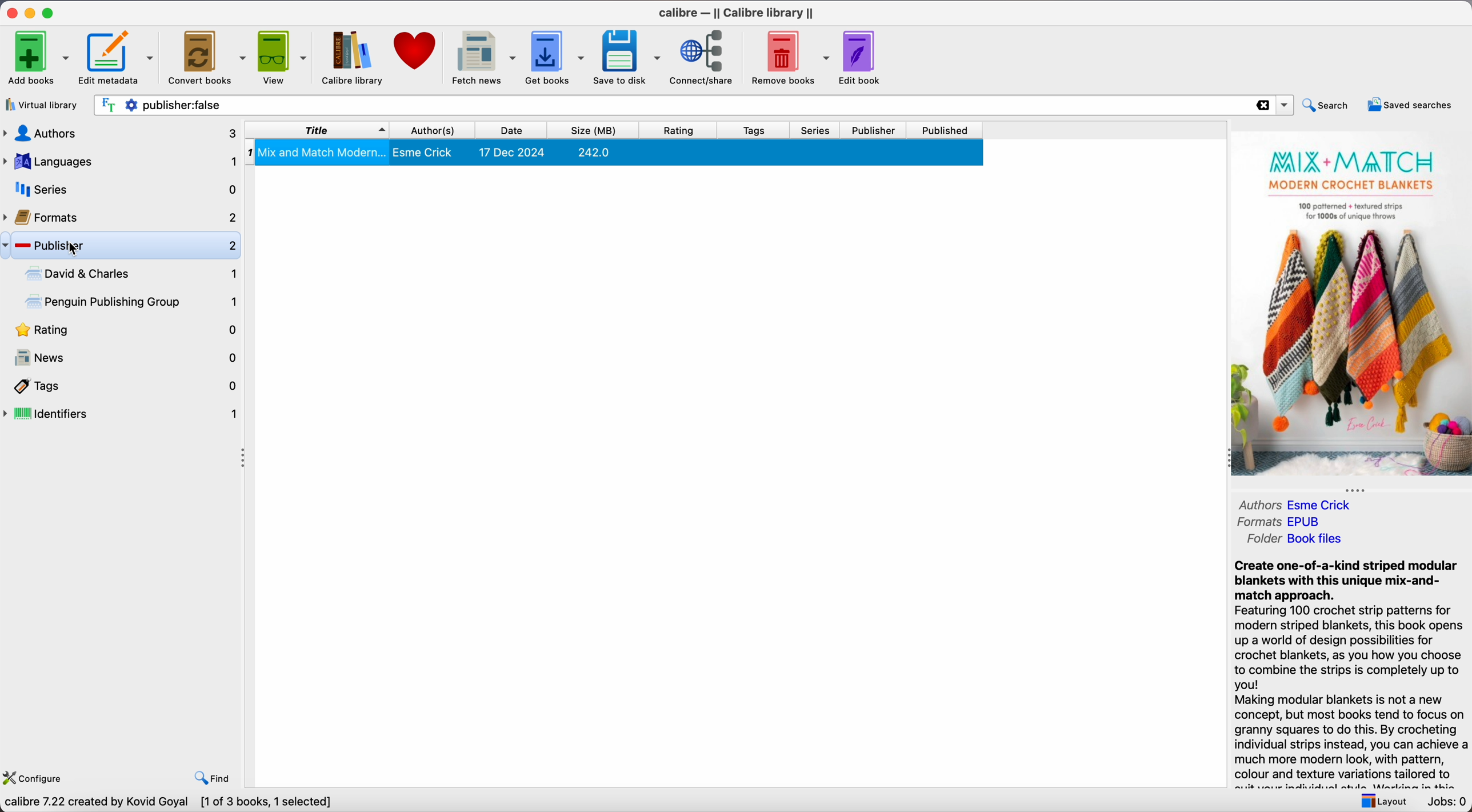 This screenshot has width=1472, height=812. What do you see at coordinates (483, 58) in the screenshot?
I see `fetch news` at bounding box center [483, 58].